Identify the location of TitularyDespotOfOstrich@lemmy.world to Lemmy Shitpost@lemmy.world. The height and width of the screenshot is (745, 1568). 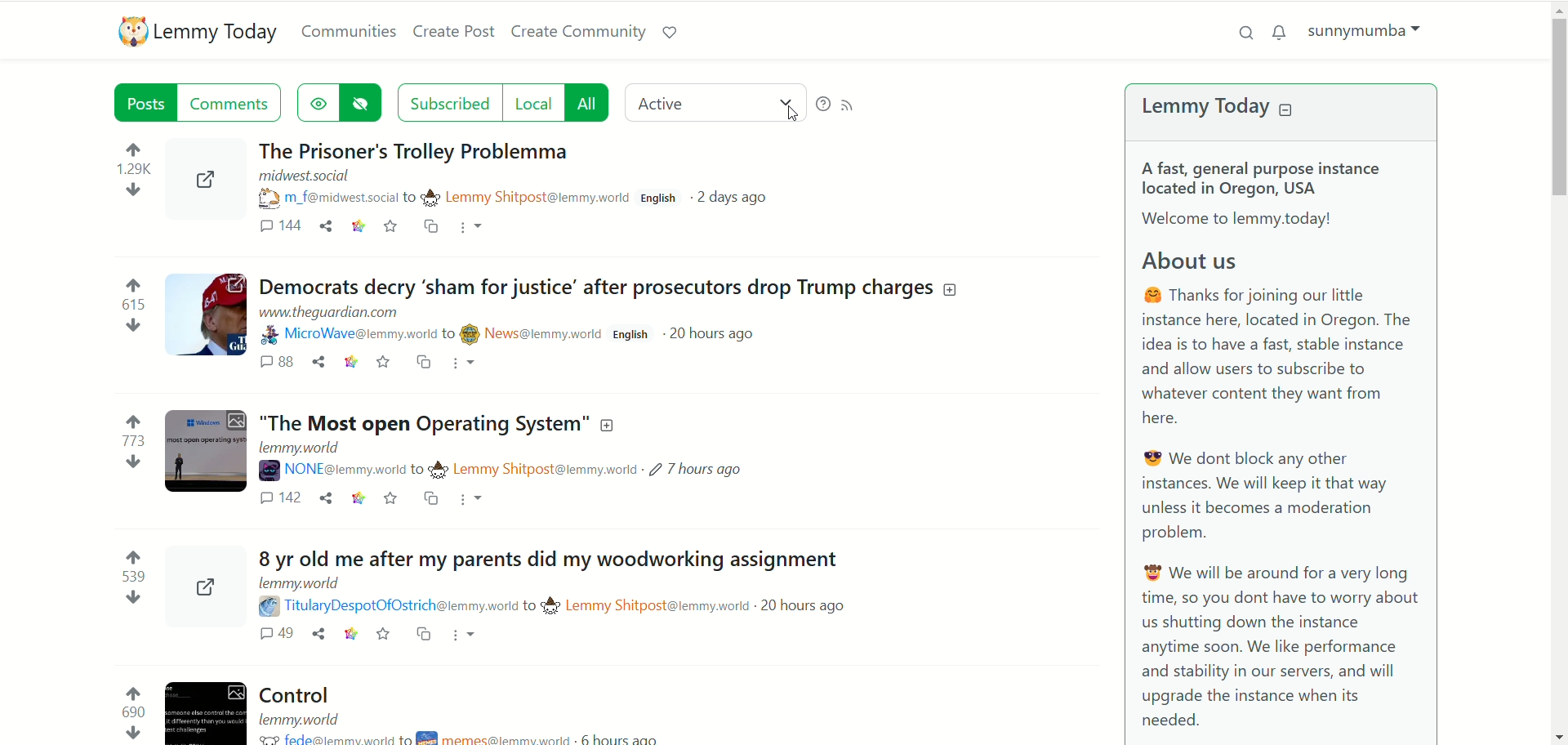
(504, 605).